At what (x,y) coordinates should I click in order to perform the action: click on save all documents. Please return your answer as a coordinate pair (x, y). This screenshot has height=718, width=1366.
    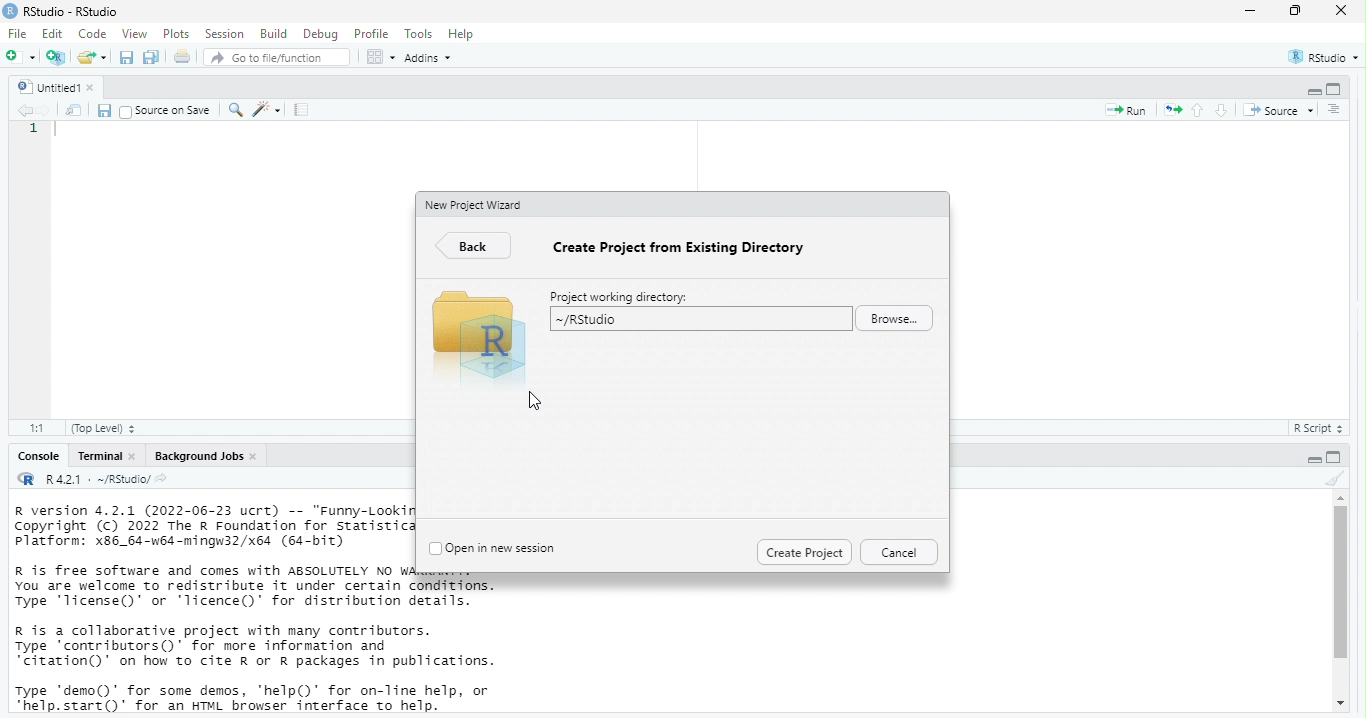
    Looking at the image, I should click on (152, 57).